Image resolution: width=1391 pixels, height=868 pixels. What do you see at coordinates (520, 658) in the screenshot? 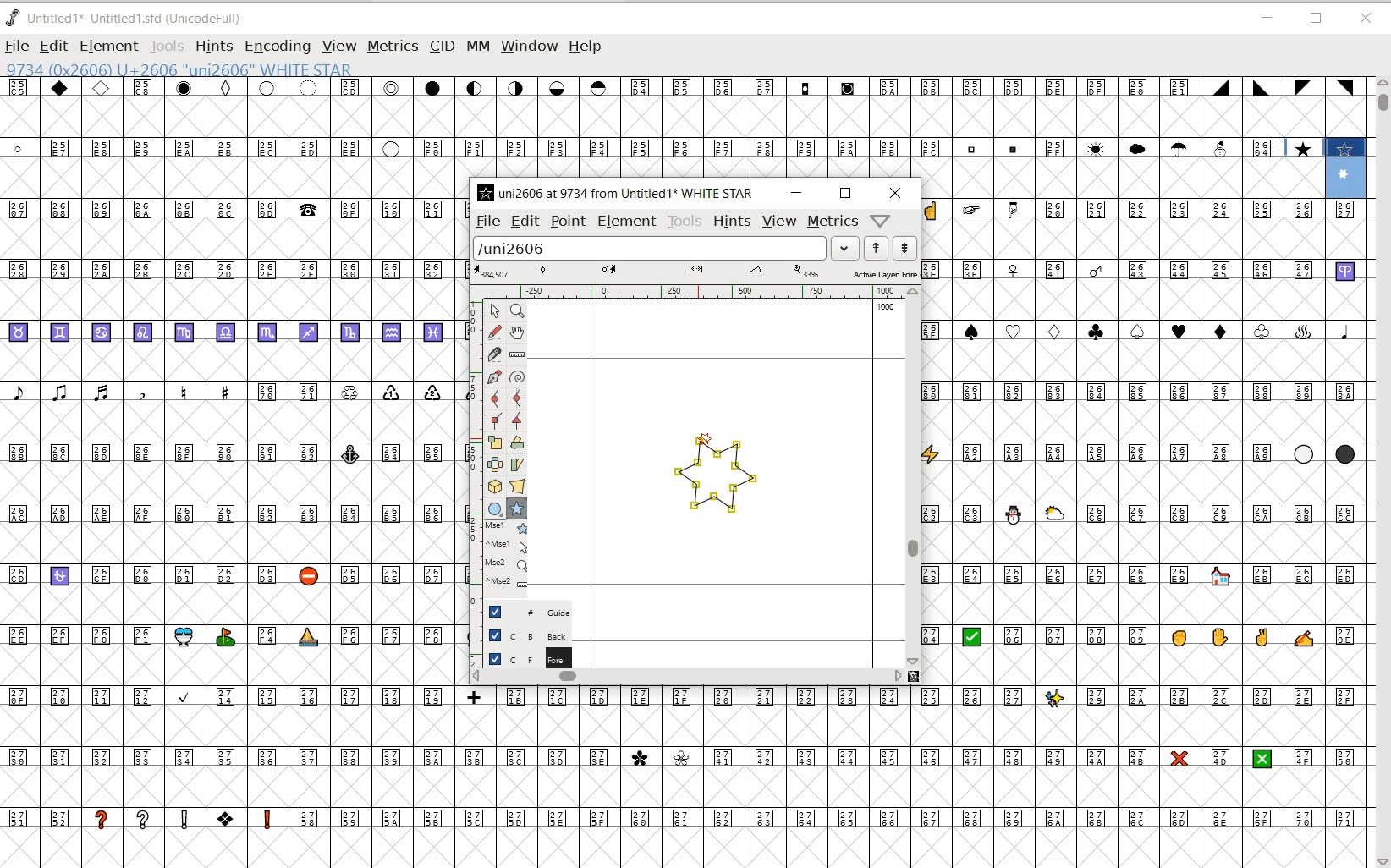
I see `FOREGROUND` at bounding box center [520, 658].